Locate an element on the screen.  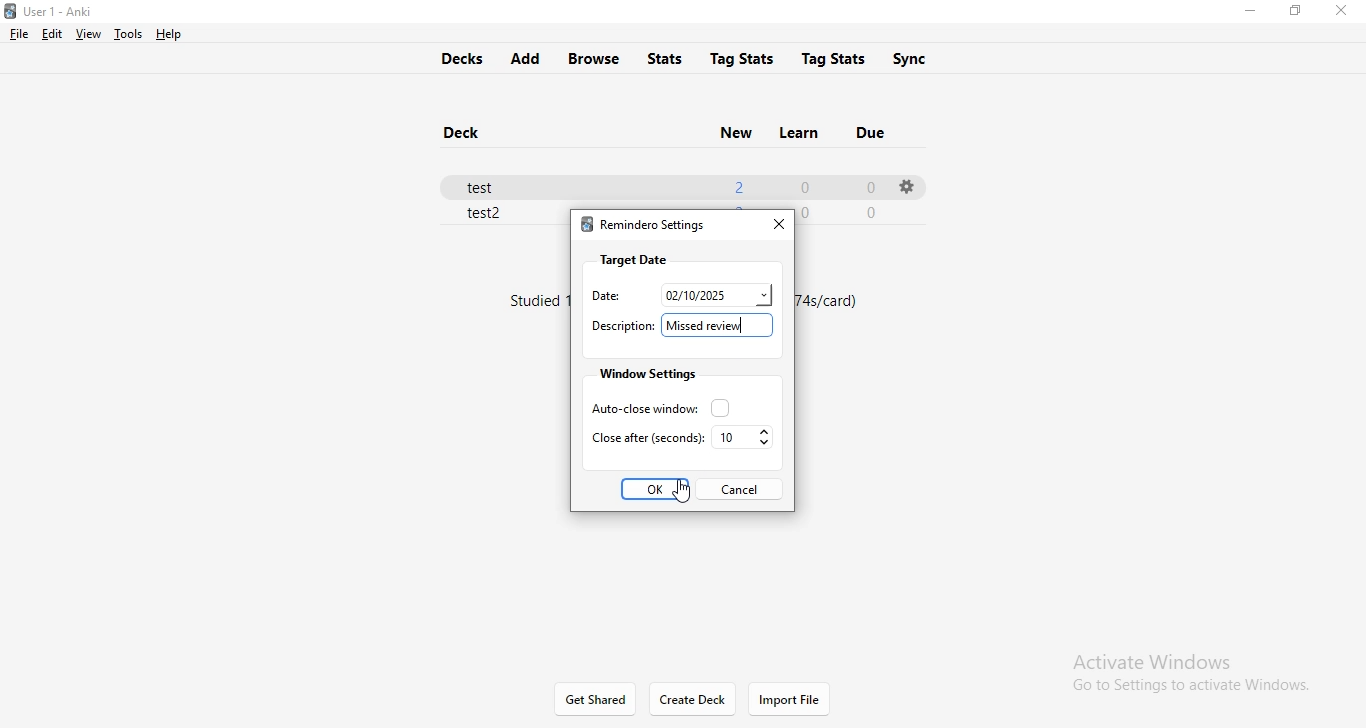
0 is located at coordinates (874, 212).